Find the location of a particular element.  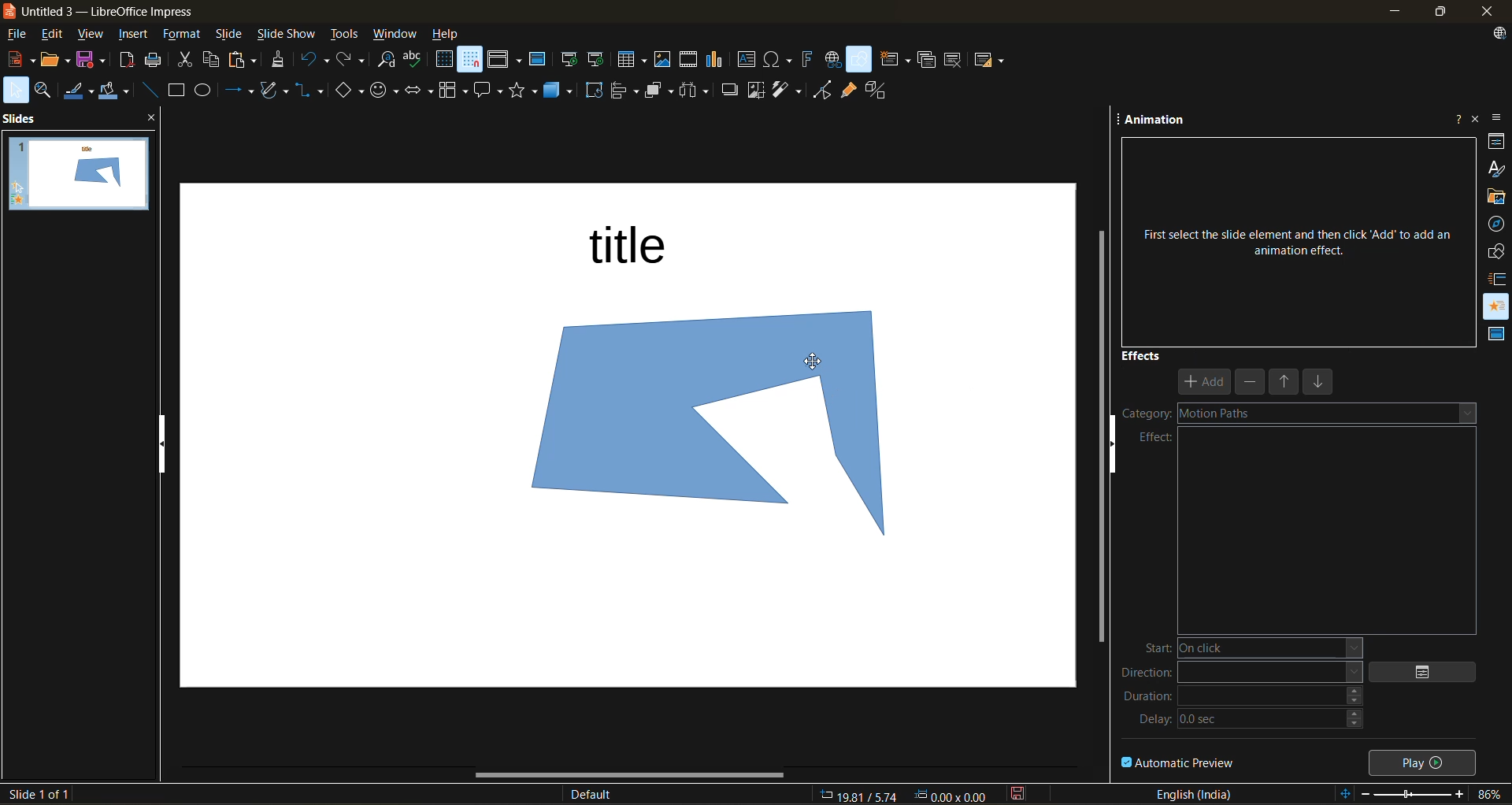

flowchart is located at coordinates (454, 91).